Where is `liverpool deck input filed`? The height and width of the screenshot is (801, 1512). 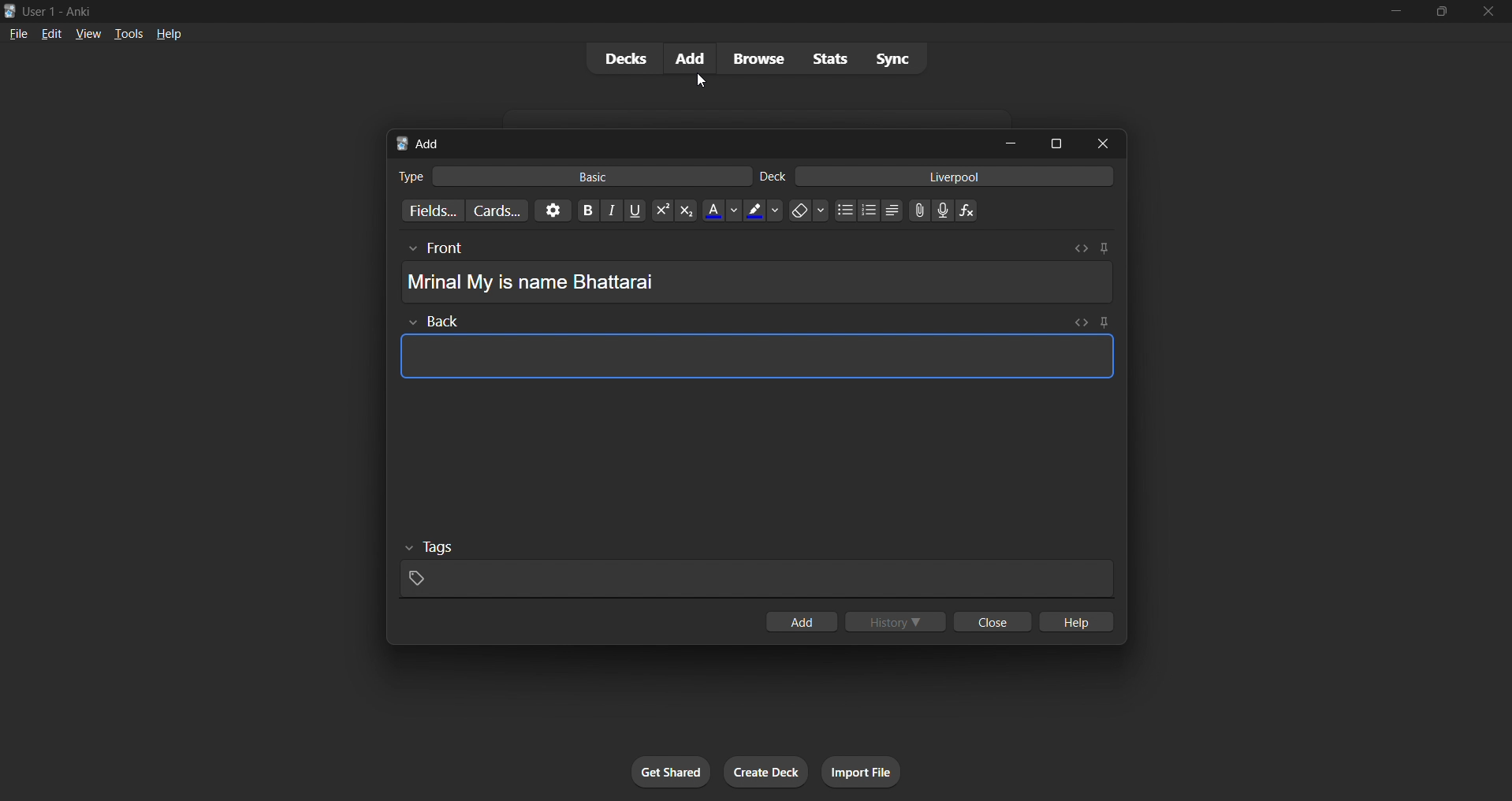 liverpool deck input filed is located at coordinates (937, 176).